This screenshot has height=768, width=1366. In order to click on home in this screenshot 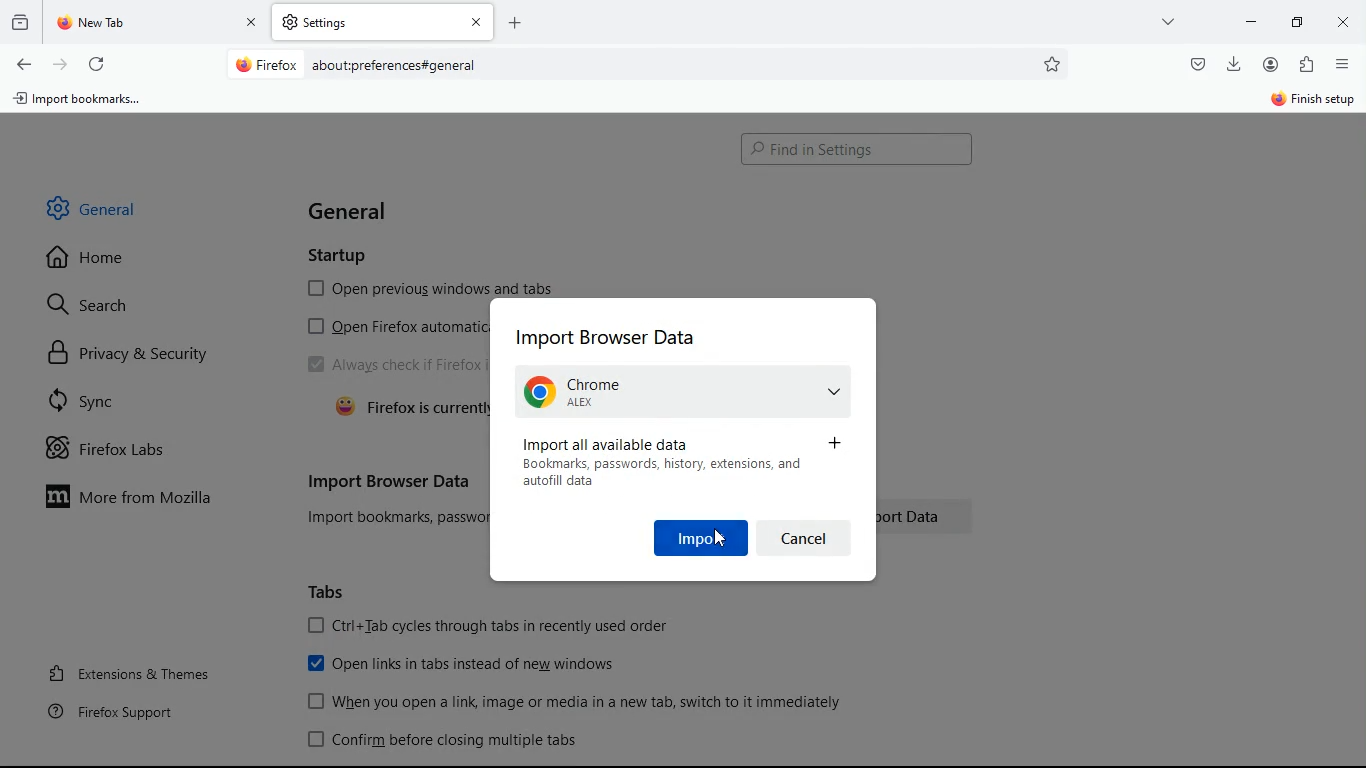, I will do `click(108, 263)`.